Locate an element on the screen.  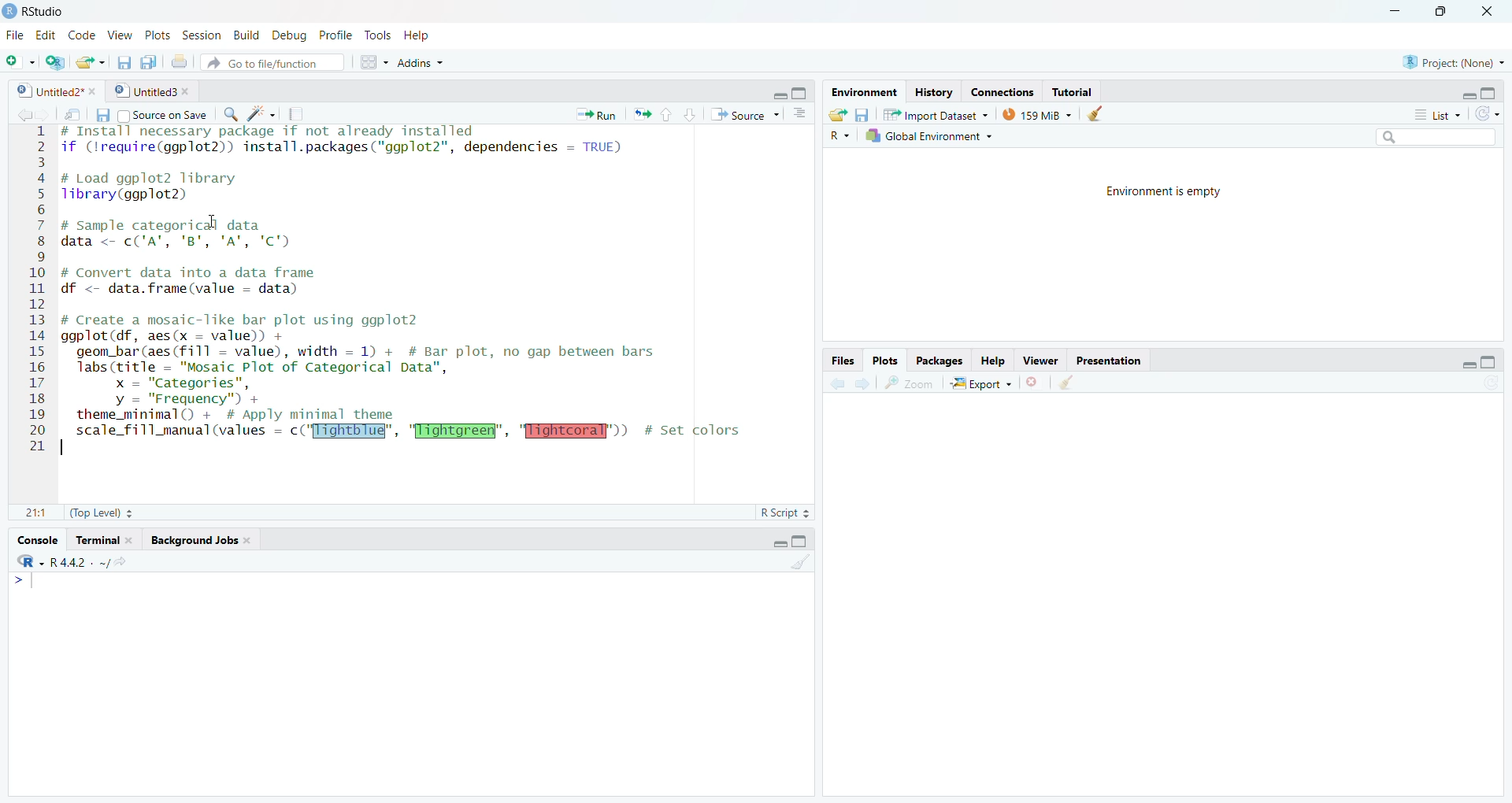
Search is located at coordinates (1434, 136).